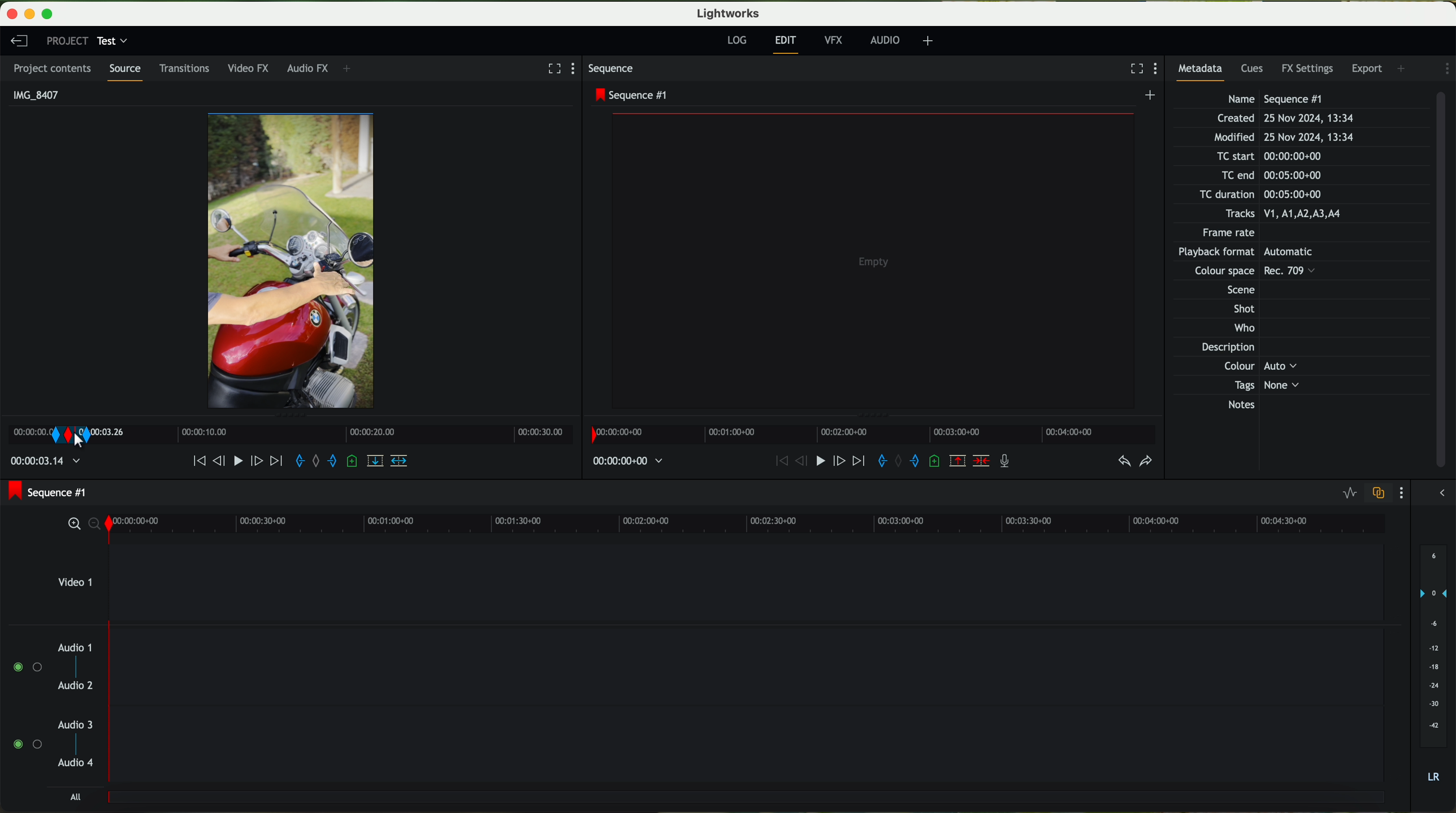 This screenshot has height=813, width=1456. Describe the element at coordinates (1158, 70) in the screenshot. I see `show settings menu` at that location.